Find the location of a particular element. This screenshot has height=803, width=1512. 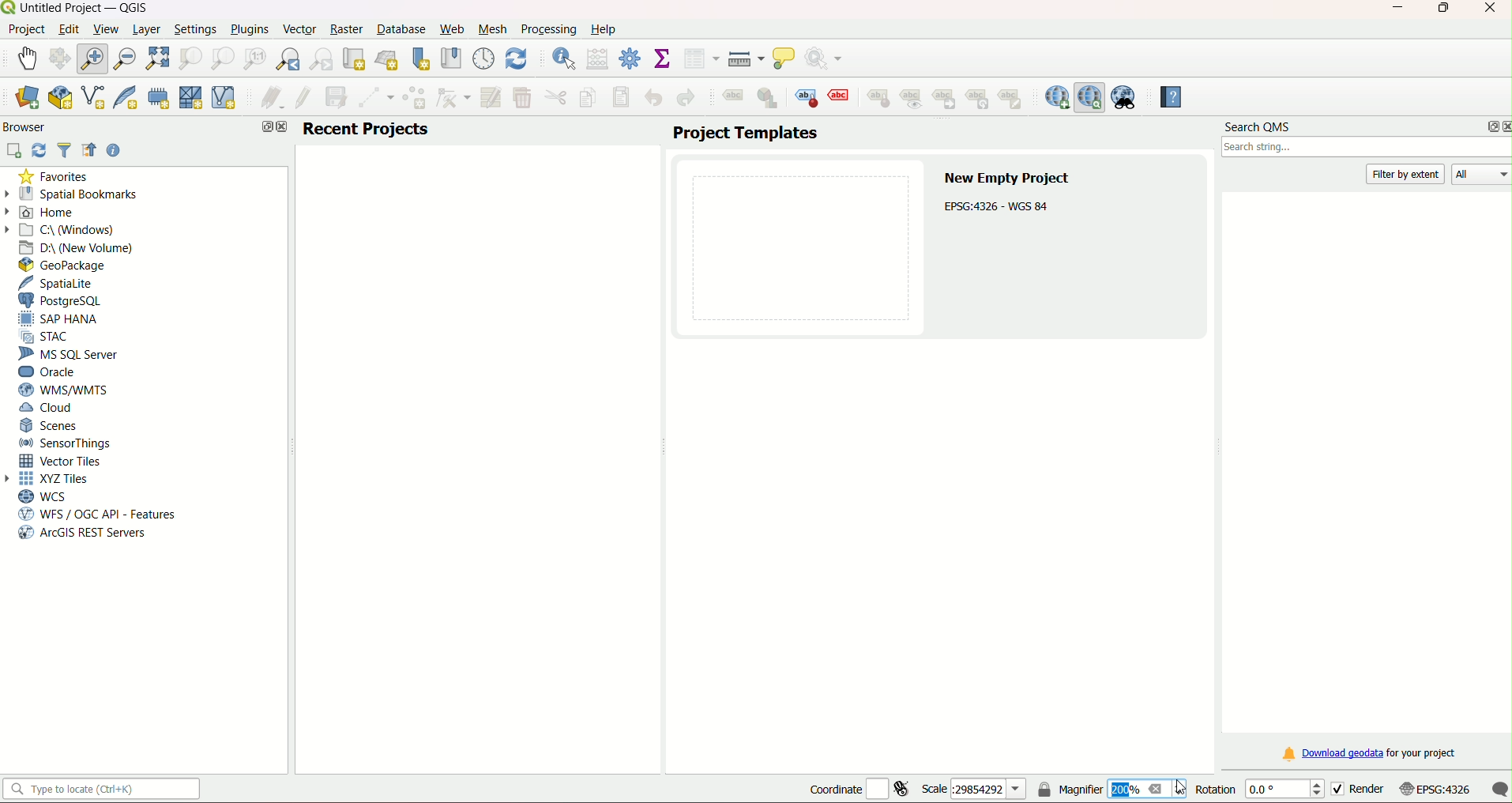

opt out is located at coordinates (263, 127).